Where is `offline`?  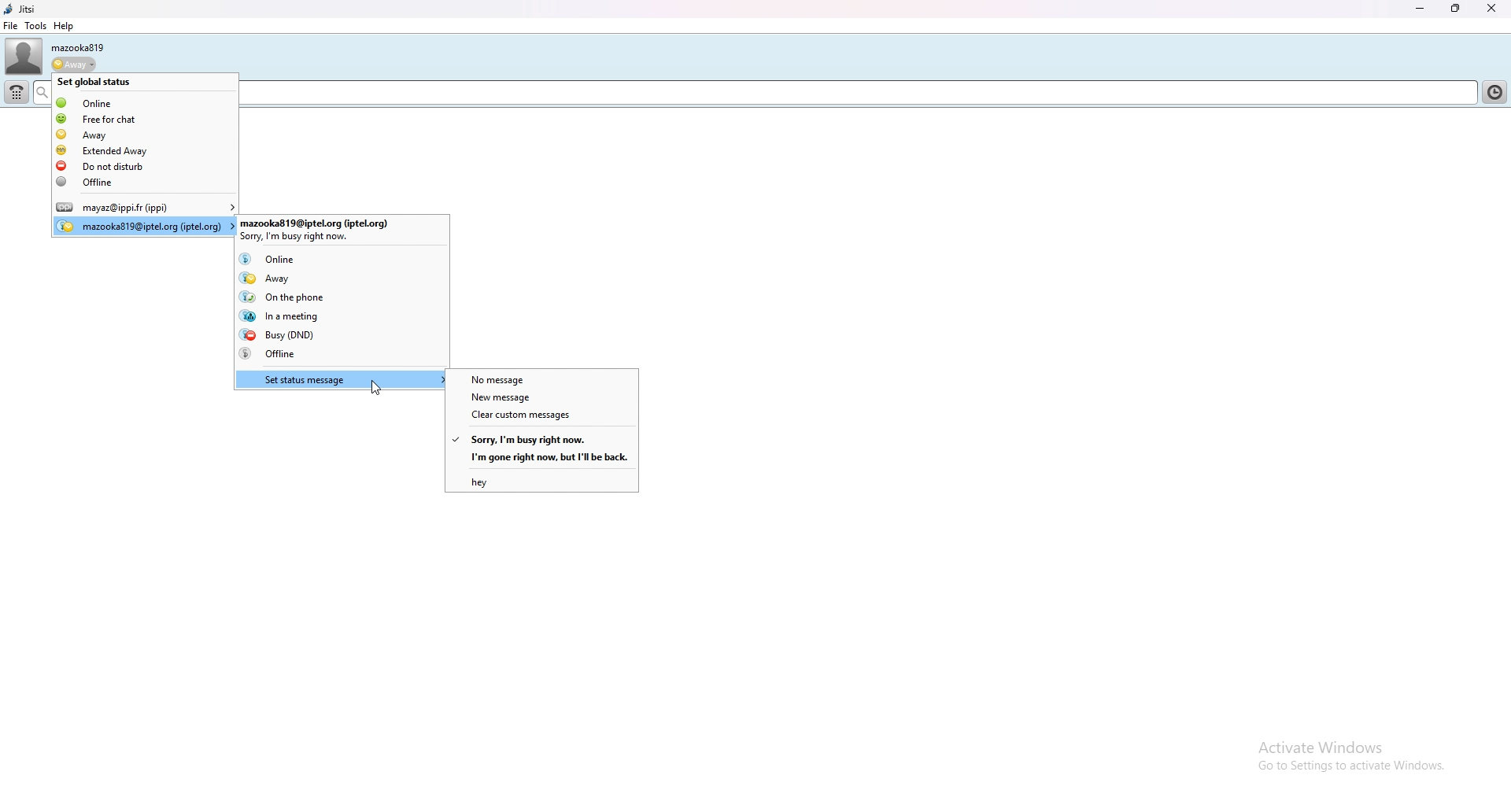
offline is located at coordinates (147, 183).